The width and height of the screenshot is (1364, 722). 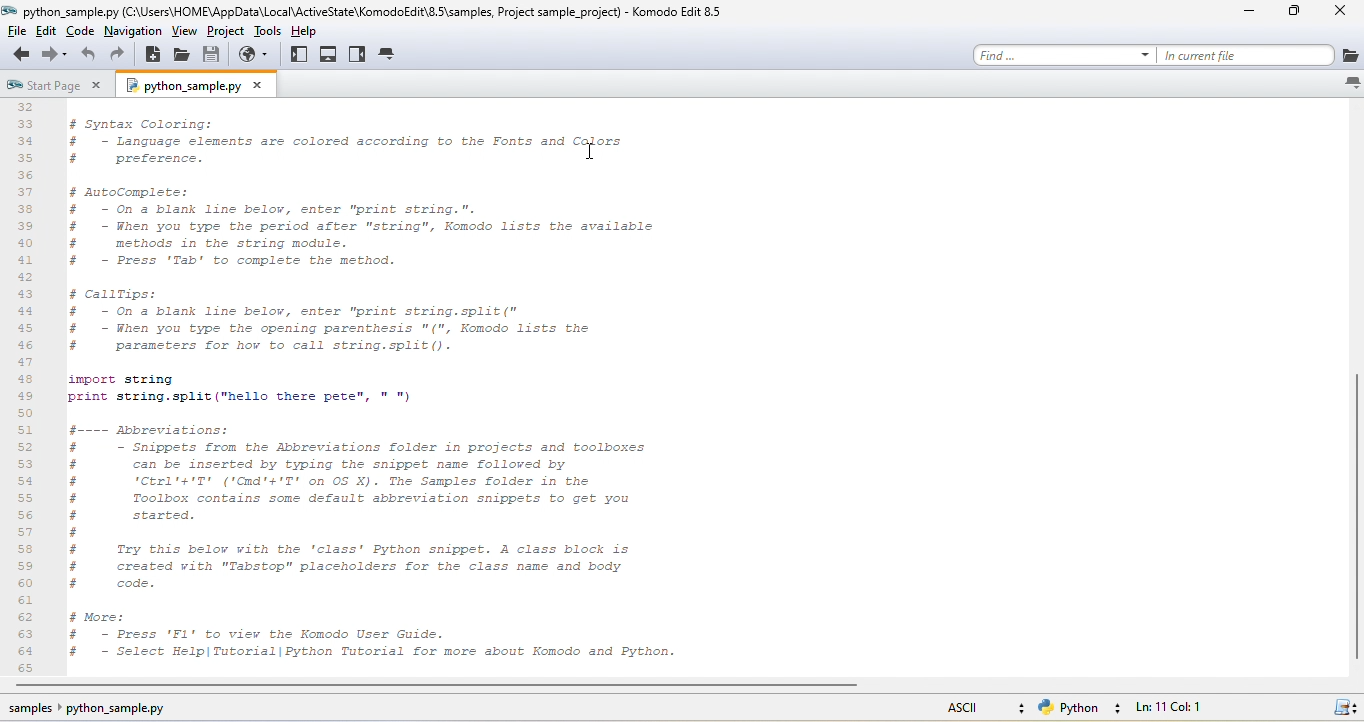 I want to click on browser, so click(x=257, y=57).